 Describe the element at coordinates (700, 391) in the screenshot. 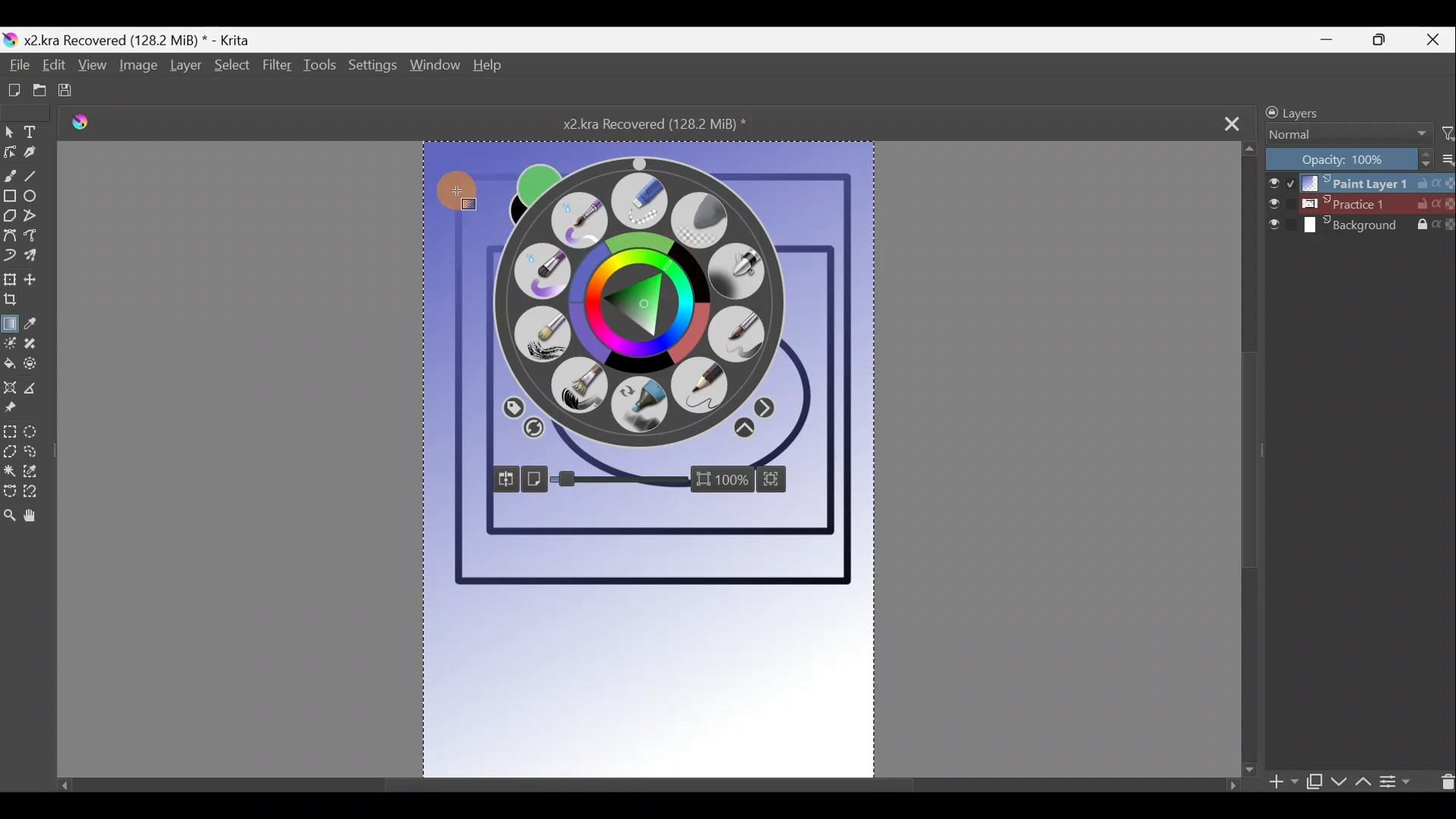

I see `Pencil 2` at that location.